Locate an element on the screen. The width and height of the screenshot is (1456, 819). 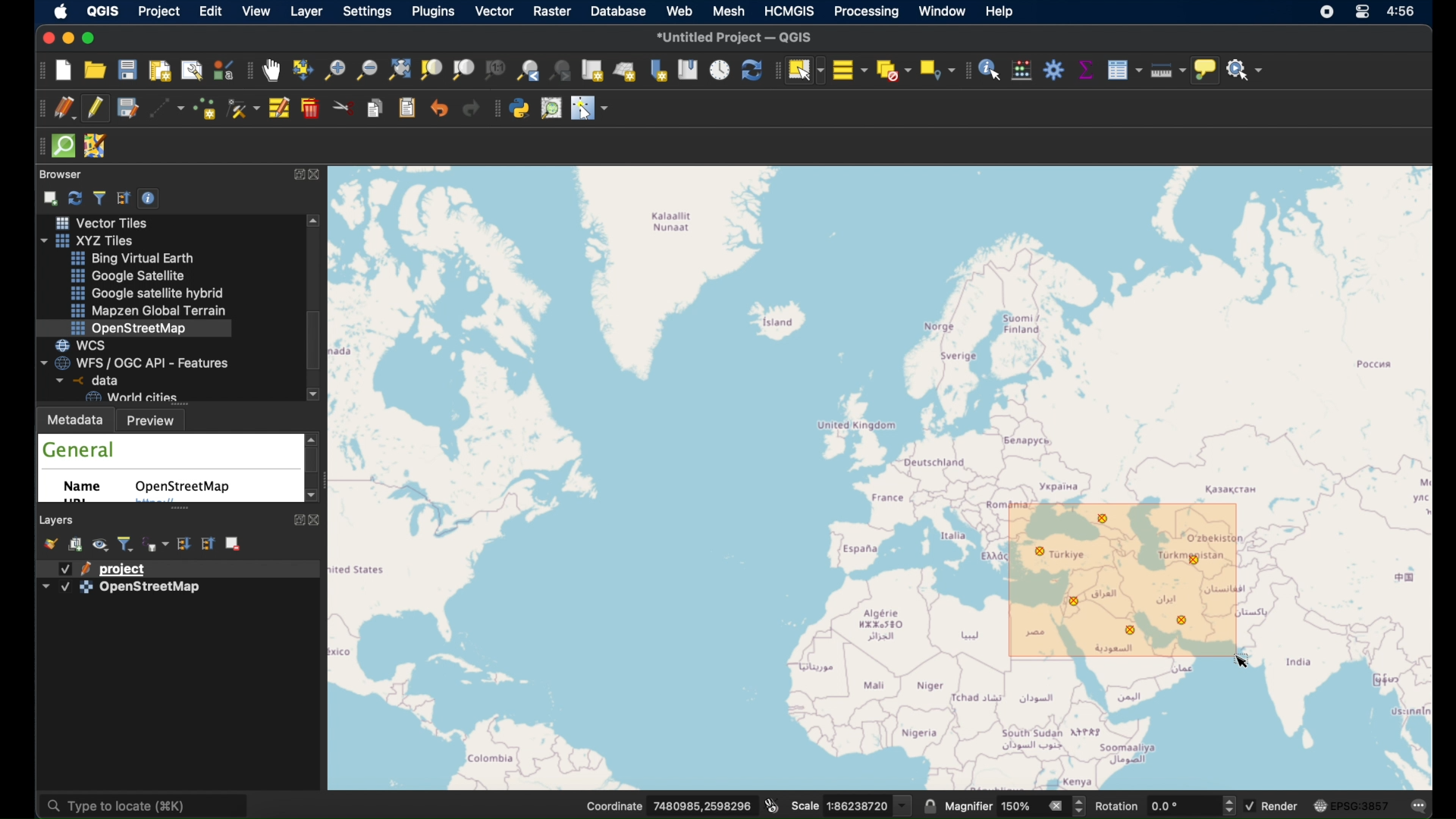
close is located at coordinates (320, 174).